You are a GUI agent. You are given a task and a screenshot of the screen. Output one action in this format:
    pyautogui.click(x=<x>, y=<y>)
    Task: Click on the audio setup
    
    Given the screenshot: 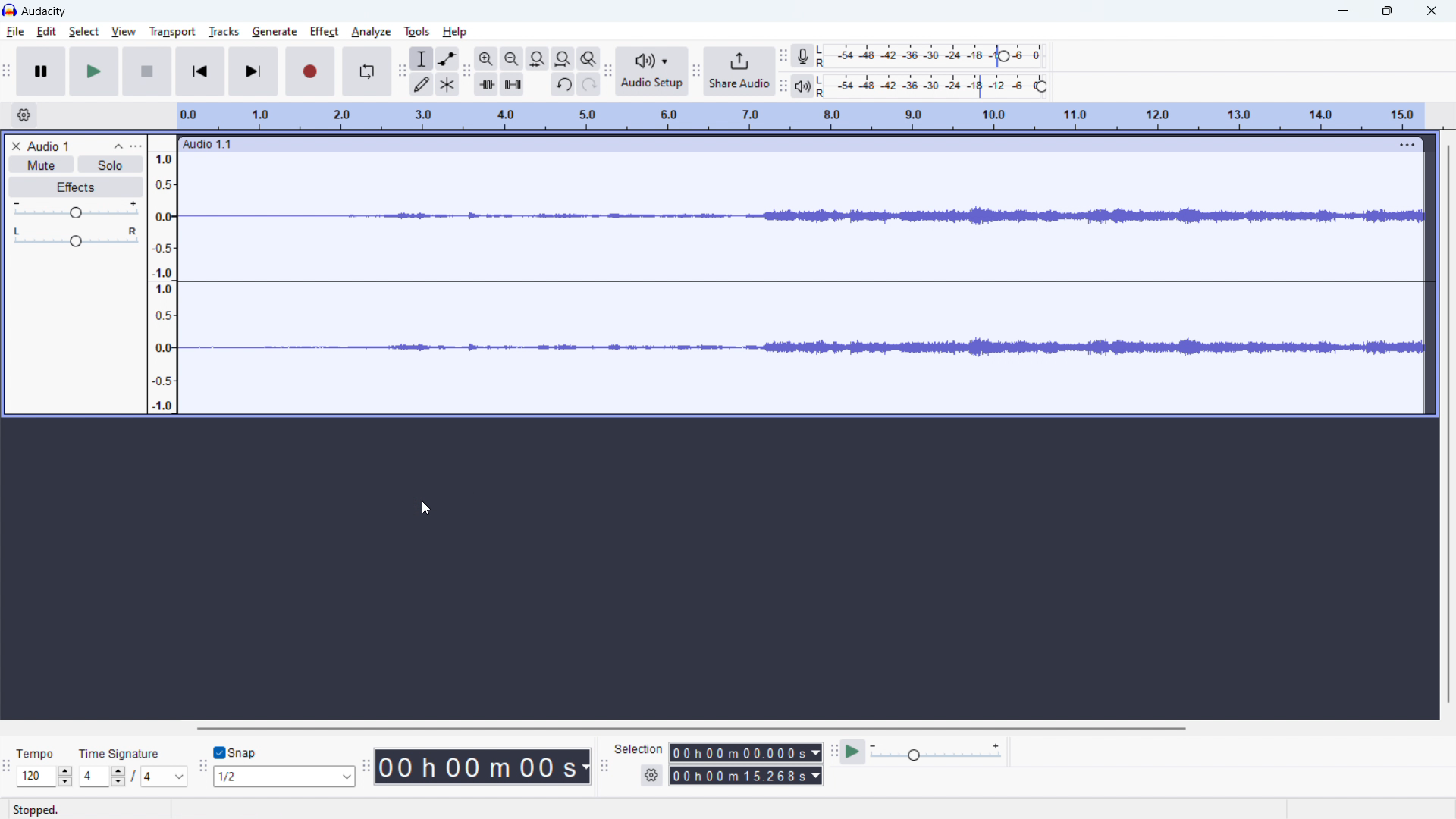 What is the action you would take?
    pyautogui.click(x=653, y=72)
    